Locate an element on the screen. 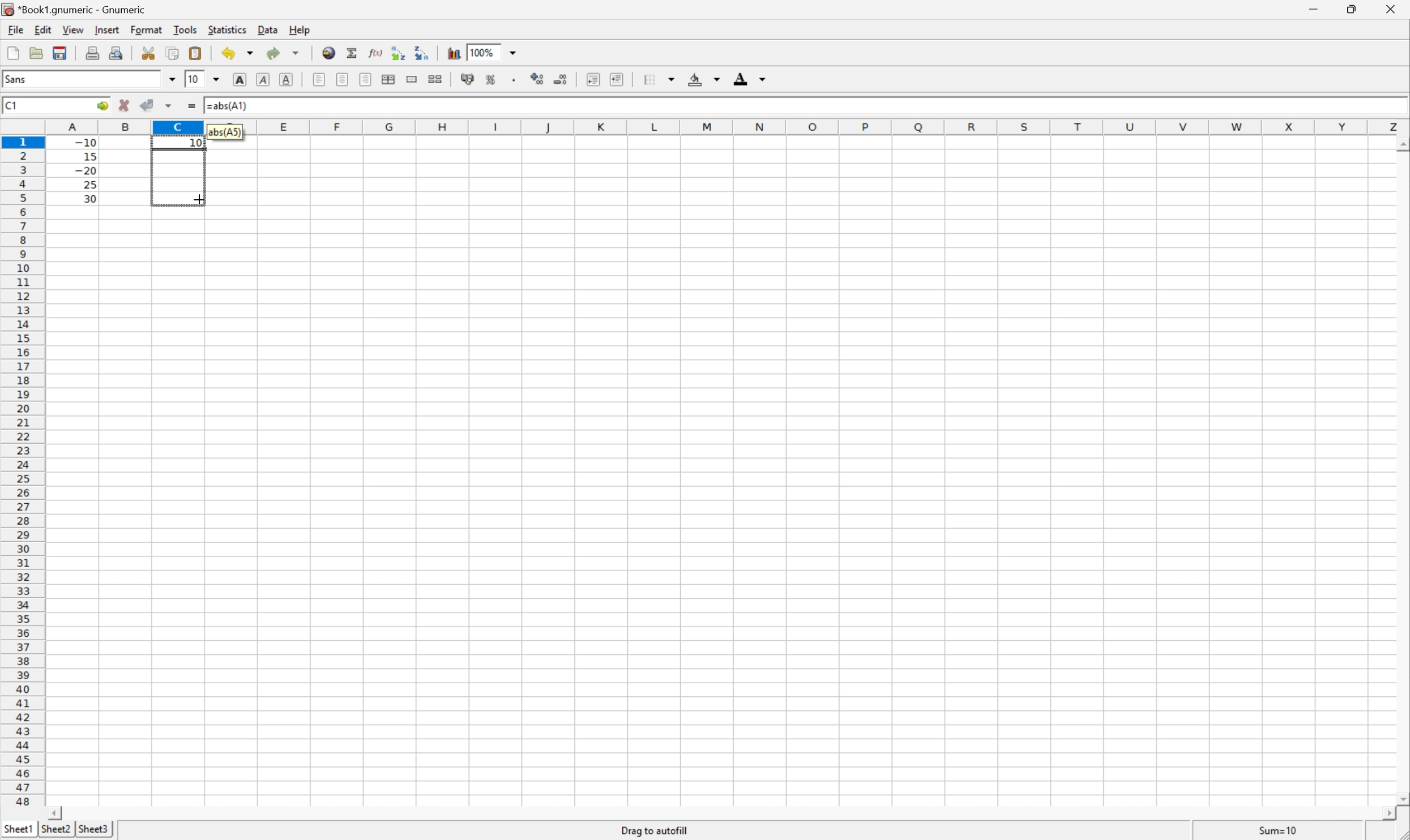 This screenshot has height=840, width=1410. Edit is located at coordinates (44, 28).